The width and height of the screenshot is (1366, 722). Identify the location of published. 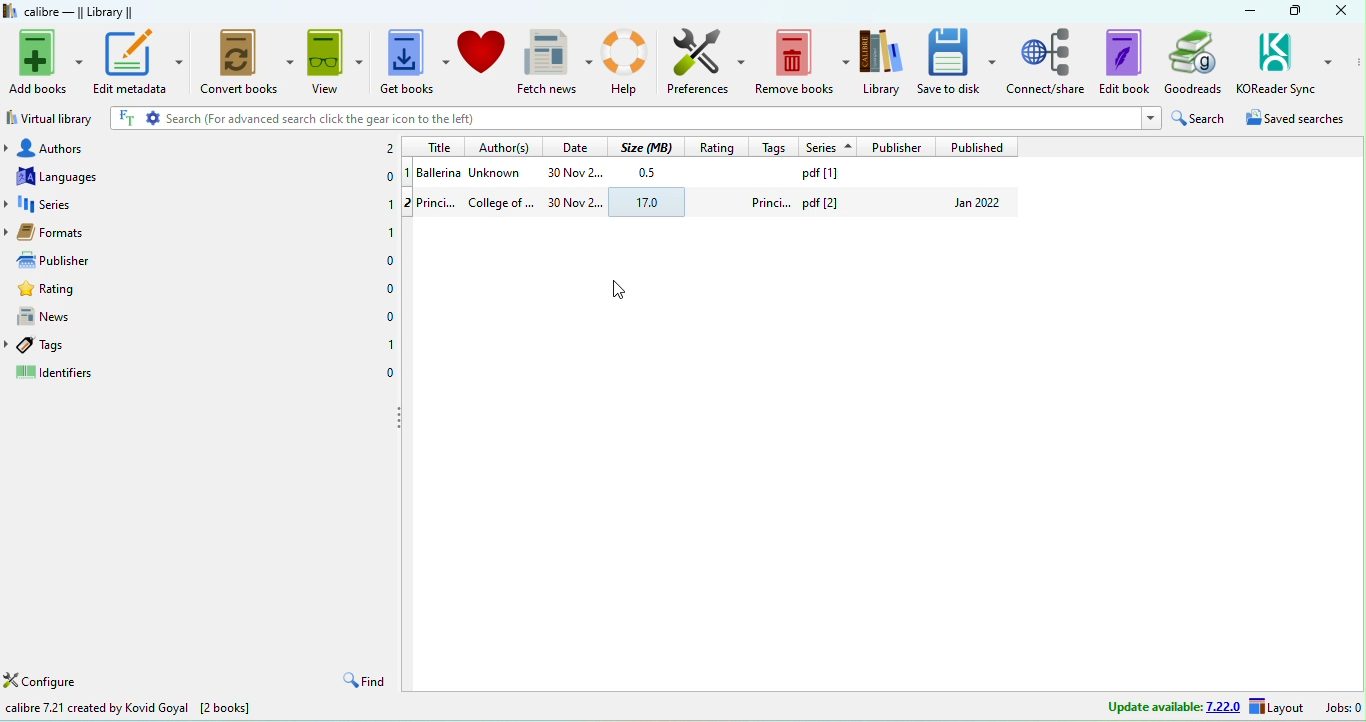
(975, 146).